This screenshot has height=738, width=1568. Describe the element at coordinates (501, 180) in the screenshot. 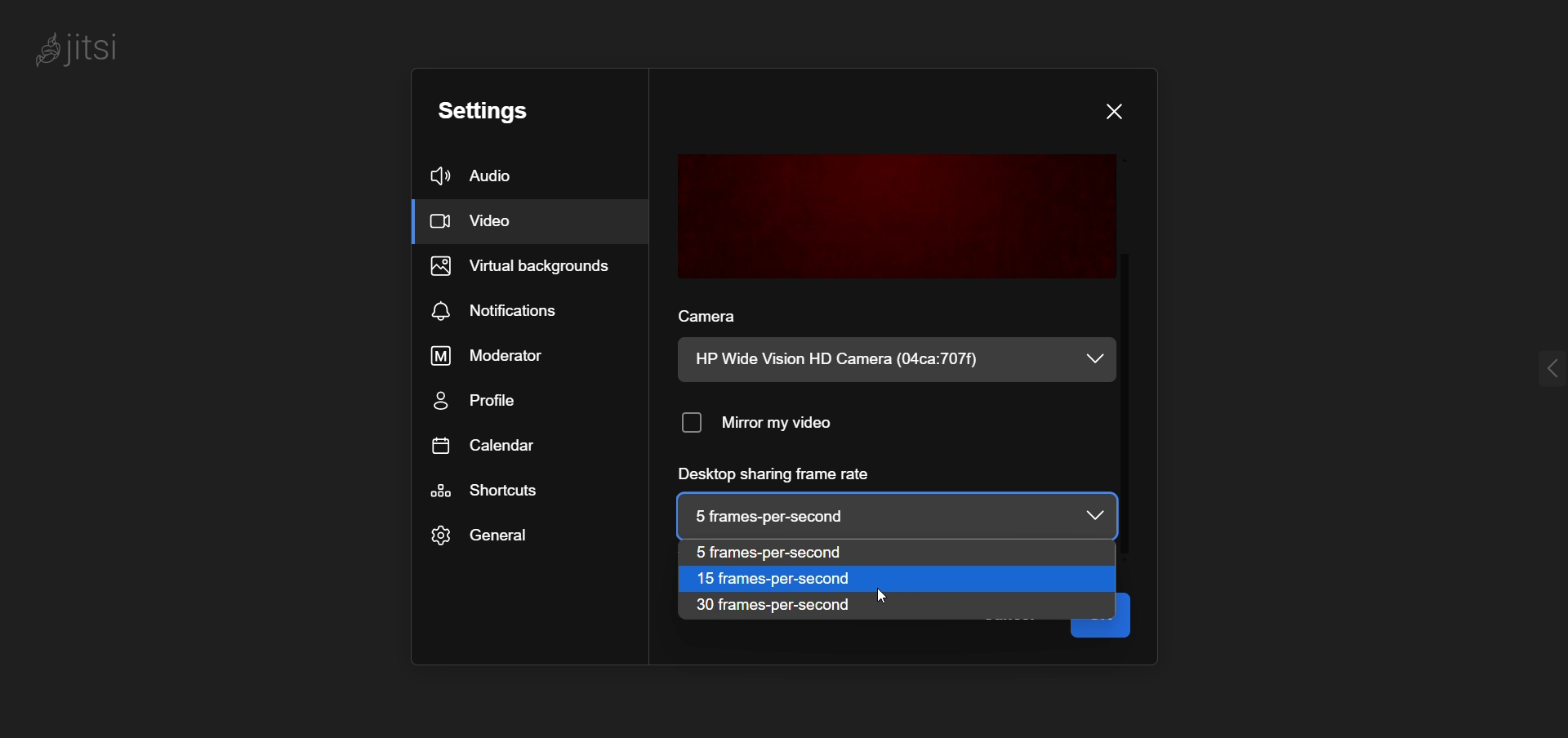

I see `audio` at that location.